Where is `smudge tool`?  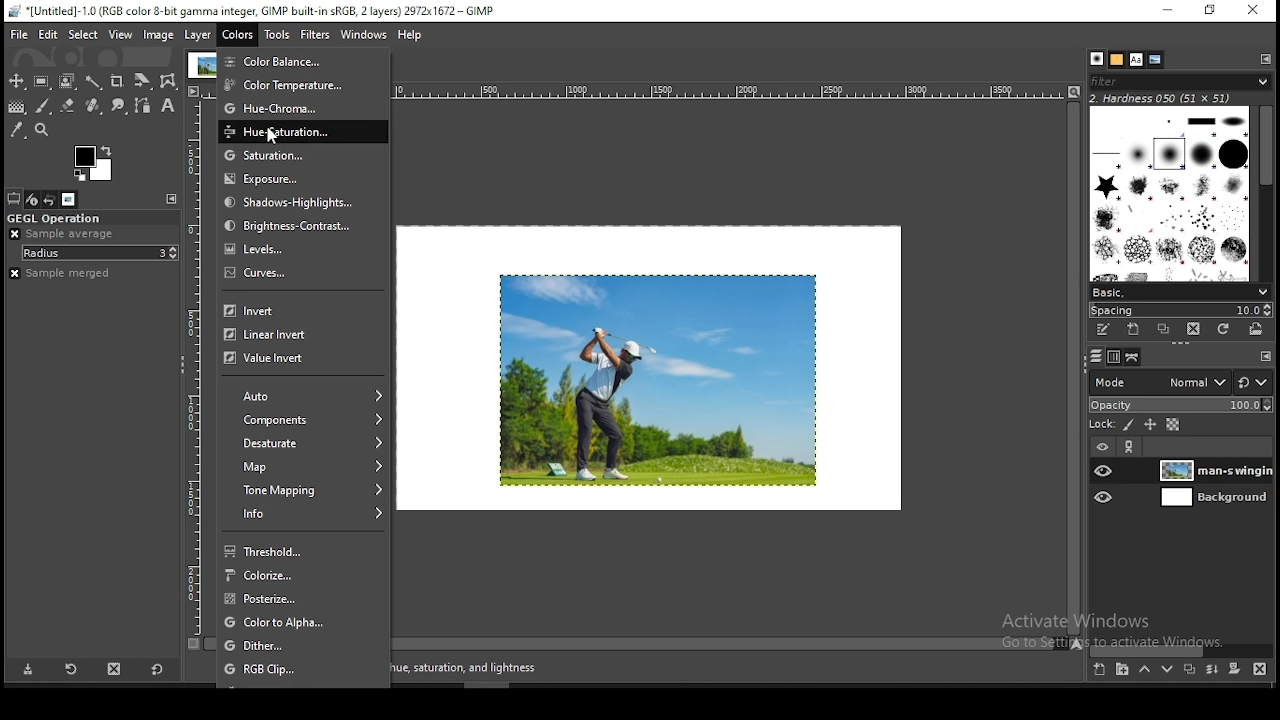
smudge tool is located at coordinates (124, 106).